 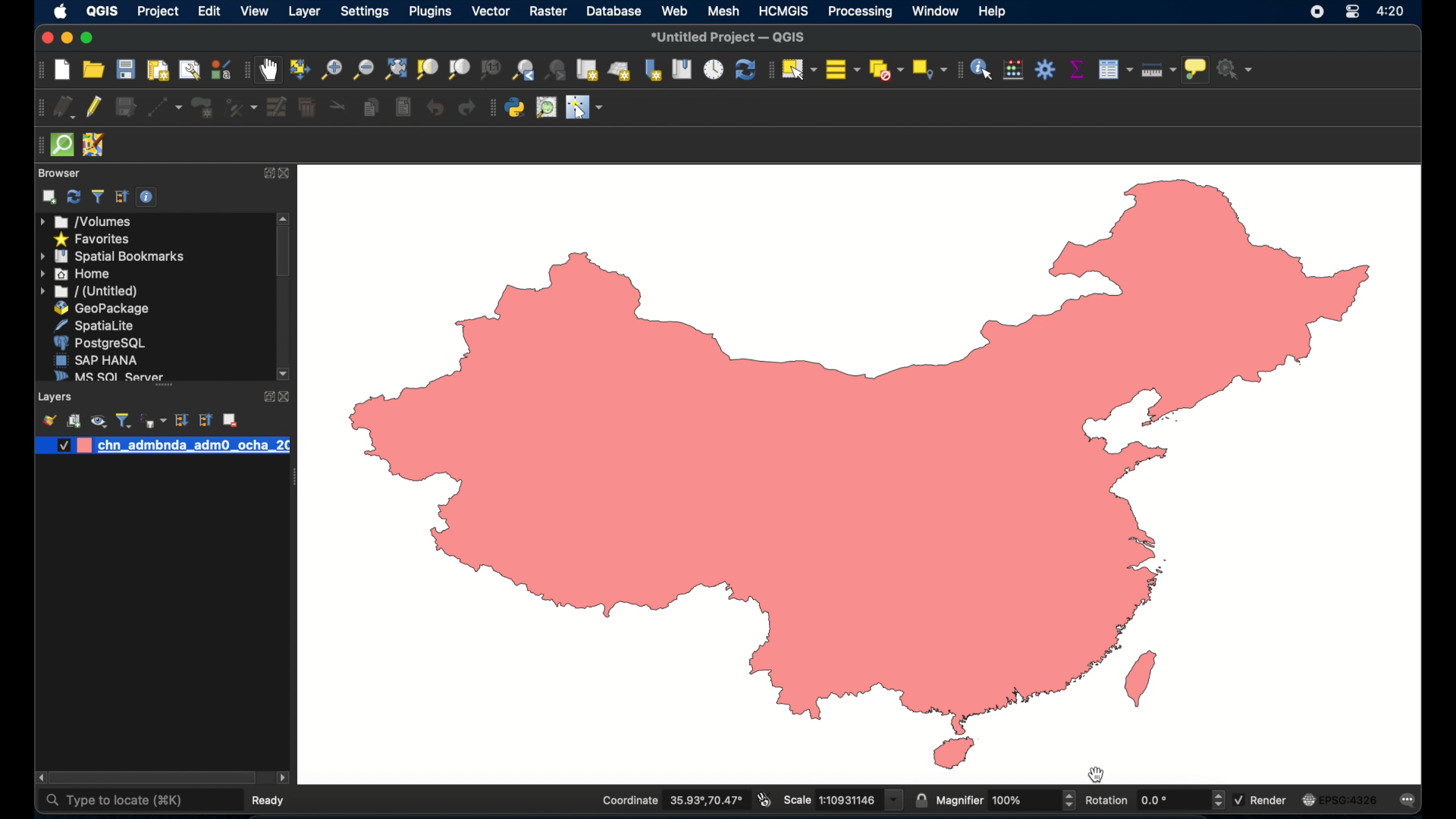 I want to click on zoom last, so click(x=557, y=70).